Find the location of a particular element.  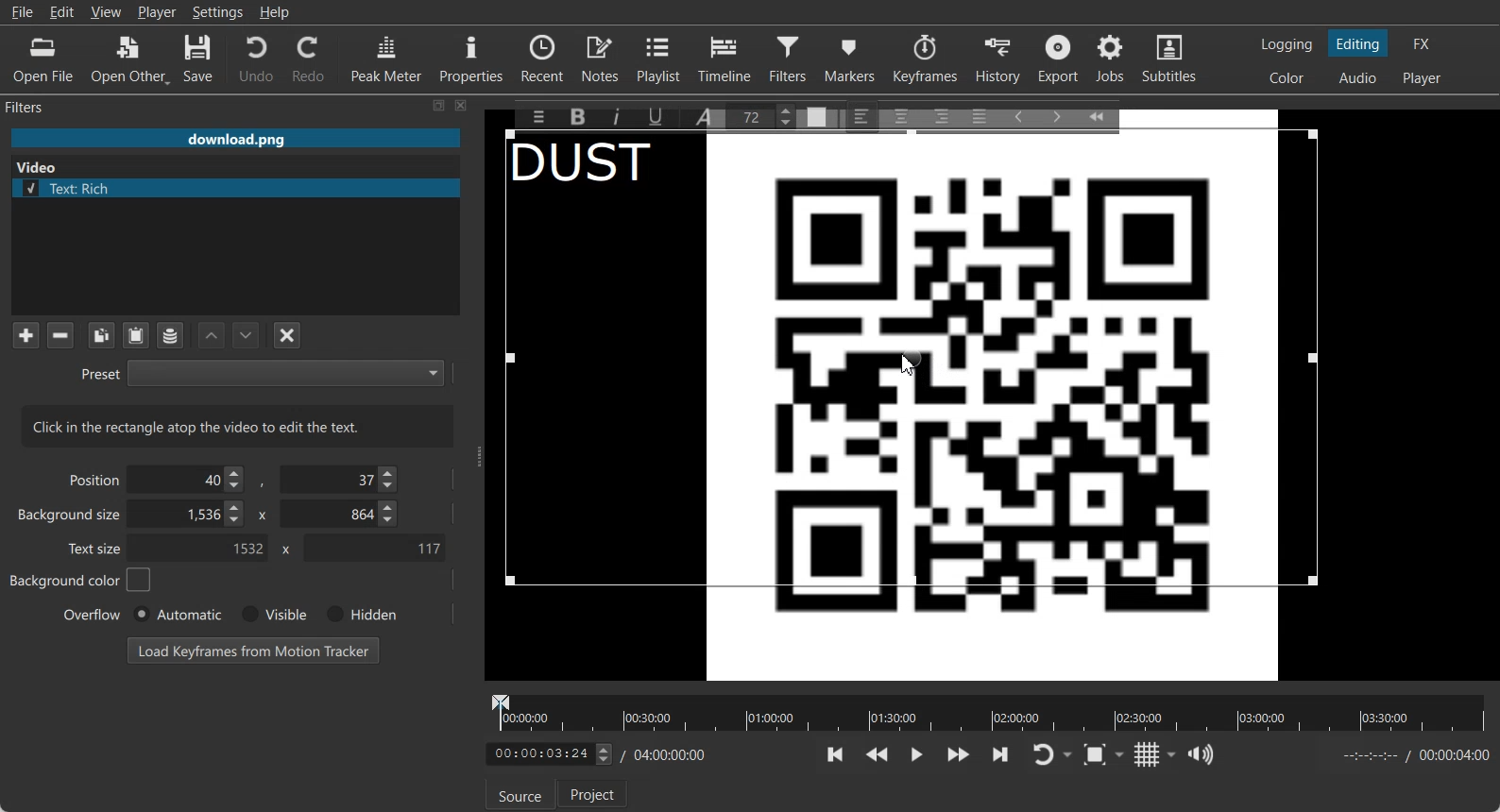

adjust Time  is located at coordinates (548, 755).